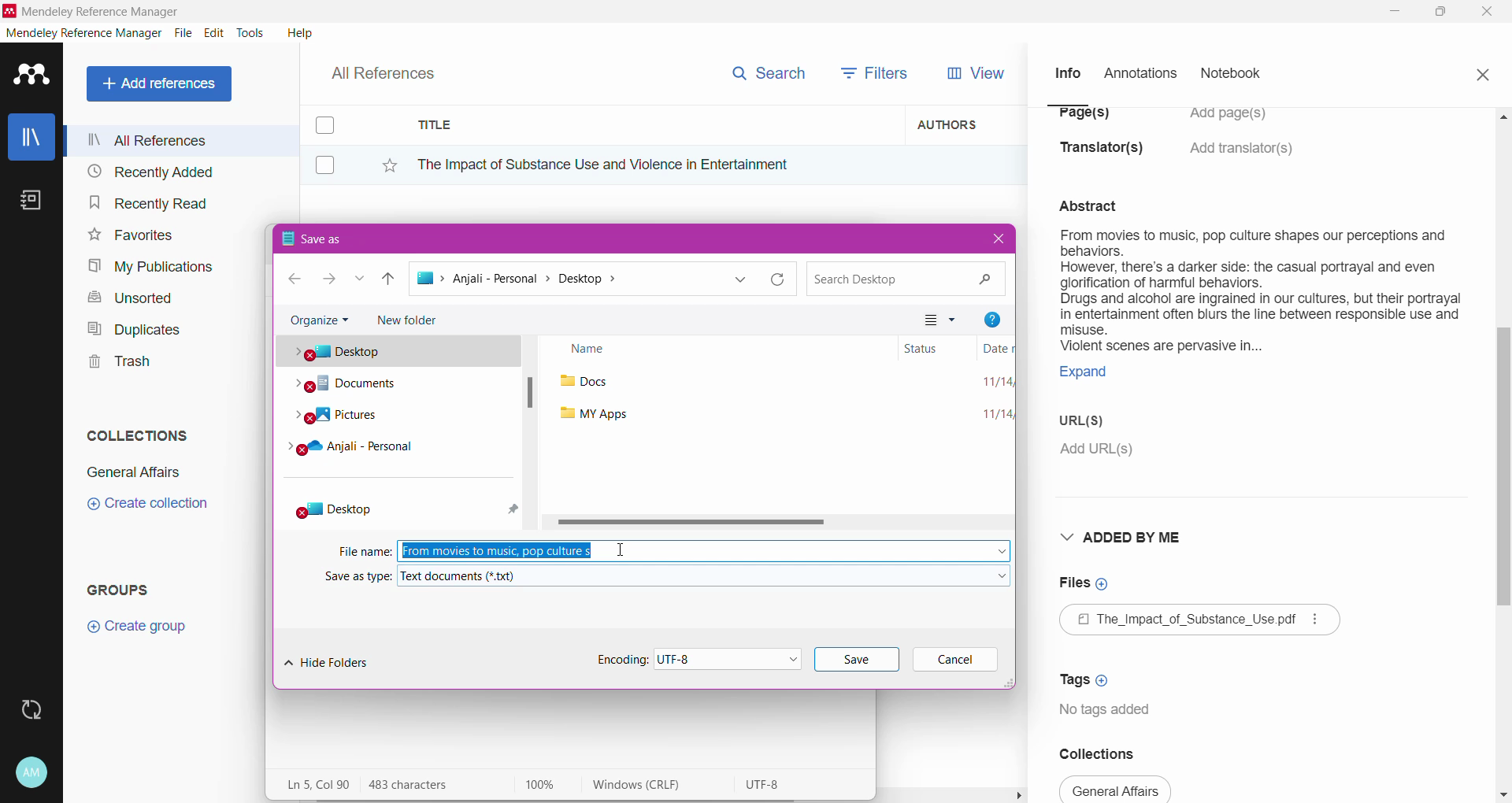  Describe the element at coordinates (1482, 72) in the screenshot. I see `Close` at that location.